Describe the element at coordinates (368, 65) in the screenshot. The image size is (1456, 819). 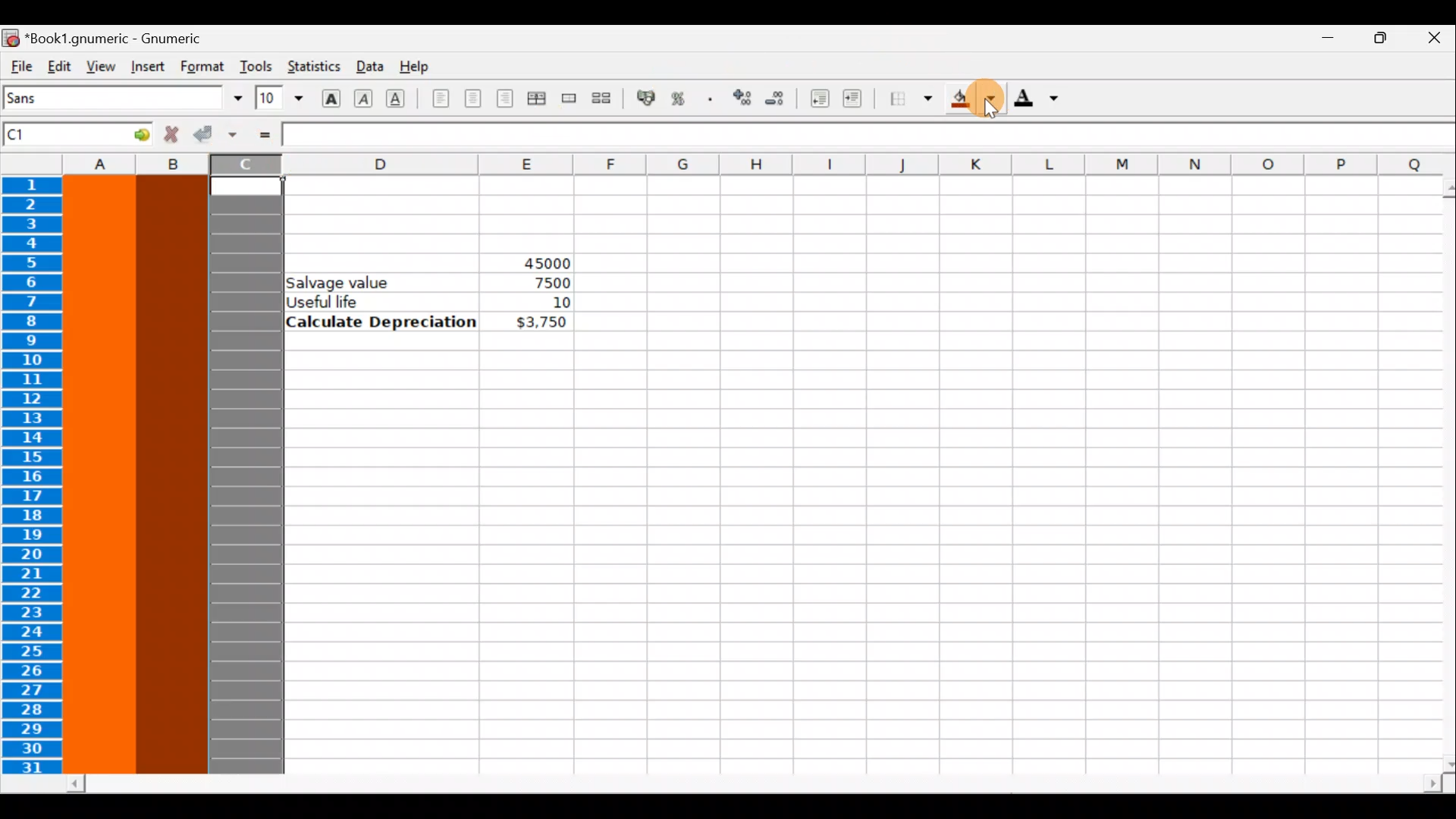
I see `Data` at that location.